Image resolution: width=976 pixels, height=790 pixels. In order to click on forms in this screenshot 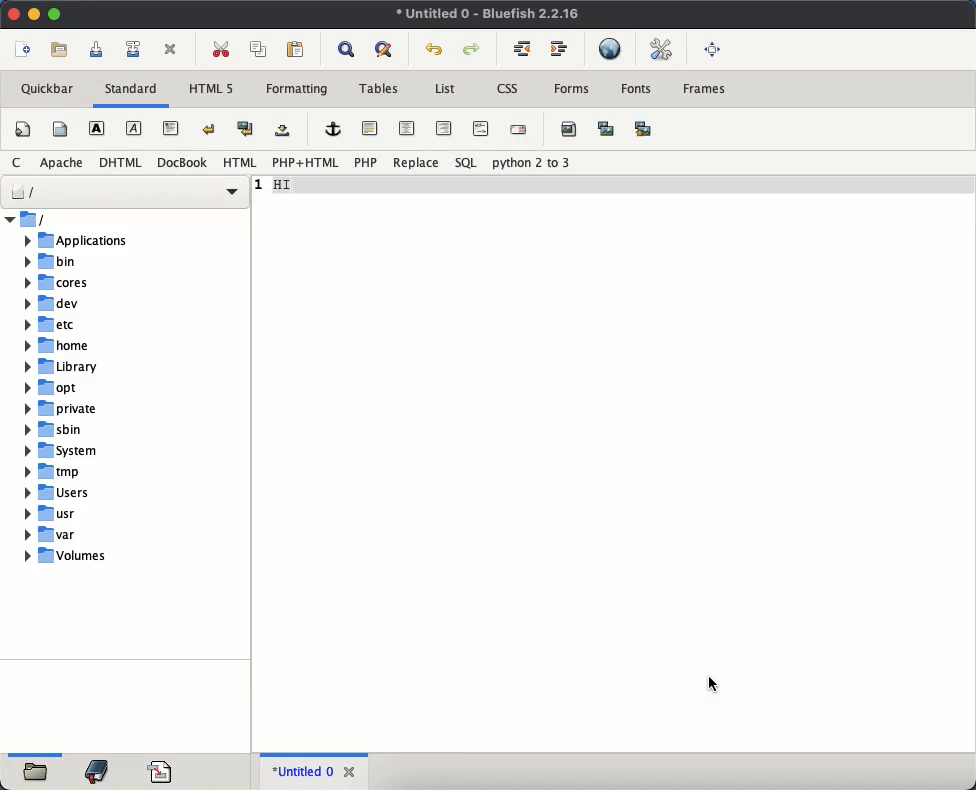, I will do `click(575, 92)`.